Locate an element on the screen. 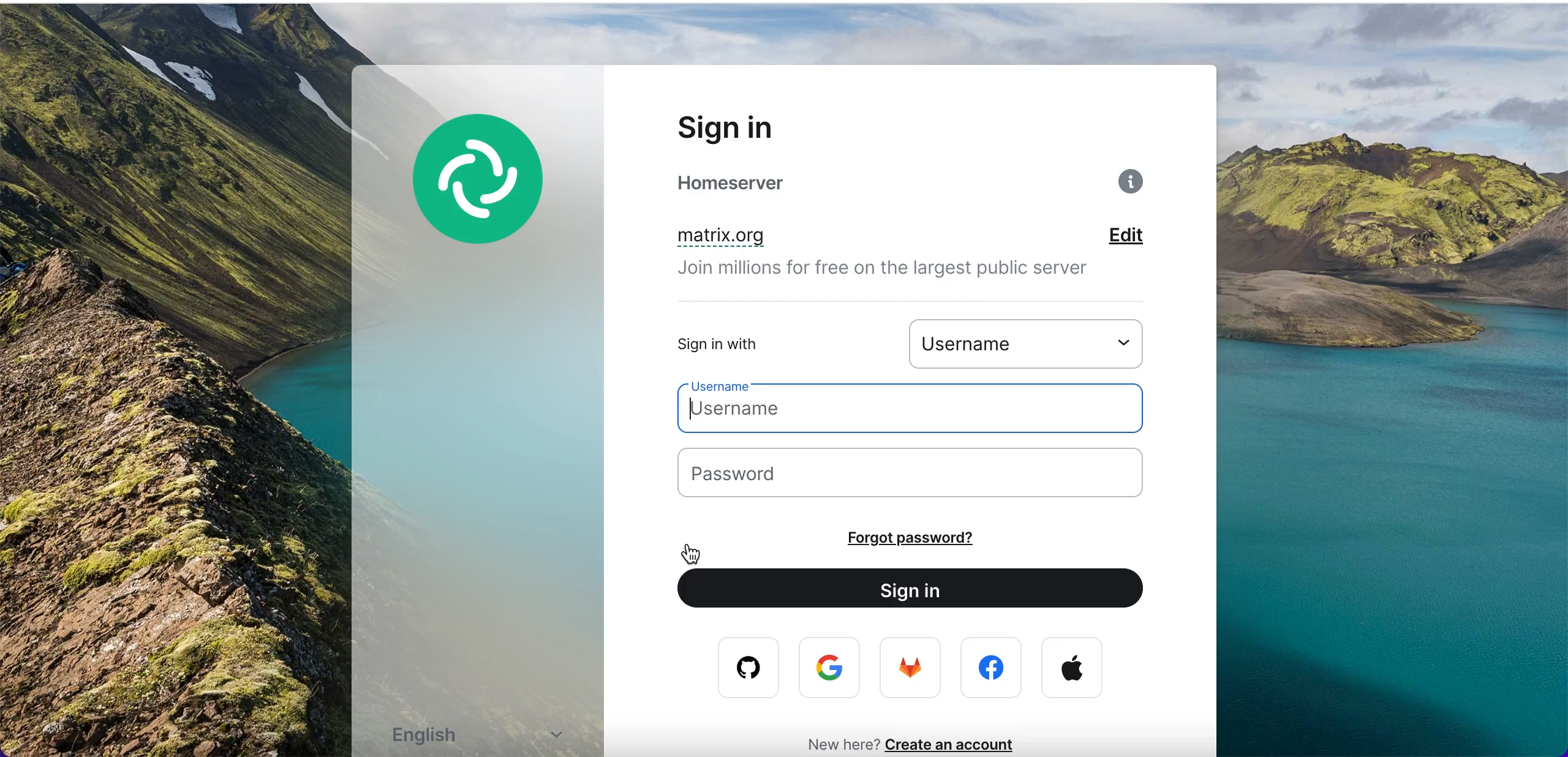 The width and height of the screenshot is (1568, 757). forgot password? is located at coordinates (944, 538).